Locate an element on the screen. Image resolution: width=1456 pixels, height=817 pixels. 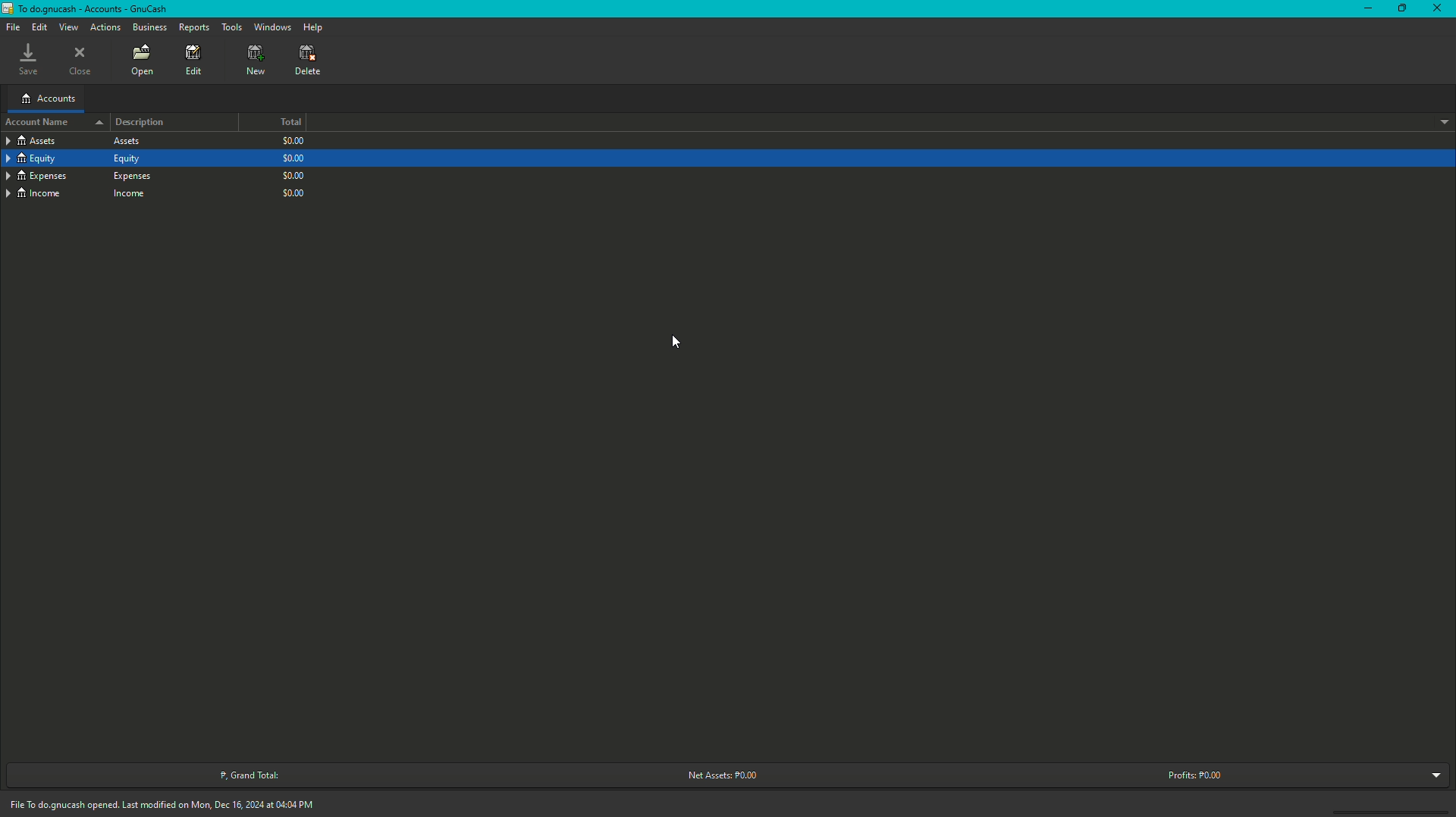
Drop down is located at coordinates (1442, 121).